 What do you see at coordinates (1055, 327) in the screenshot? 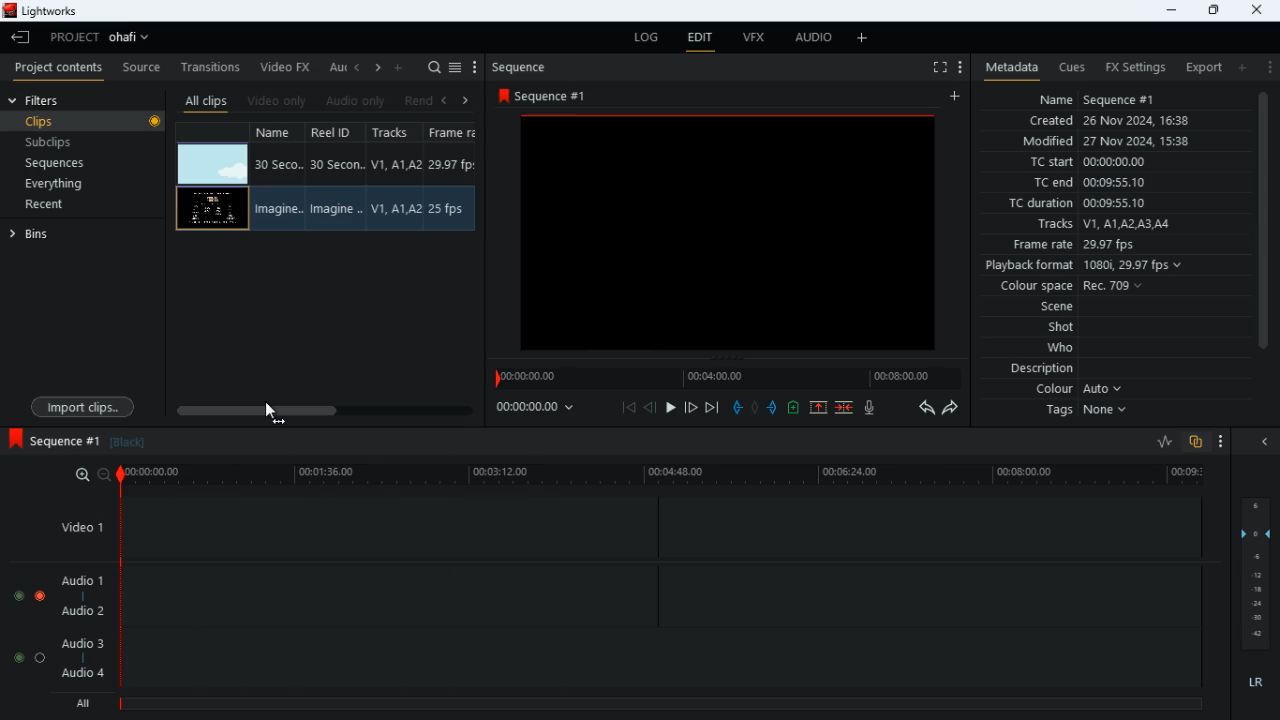
I see `shot` at bounding box center [1055, 327].